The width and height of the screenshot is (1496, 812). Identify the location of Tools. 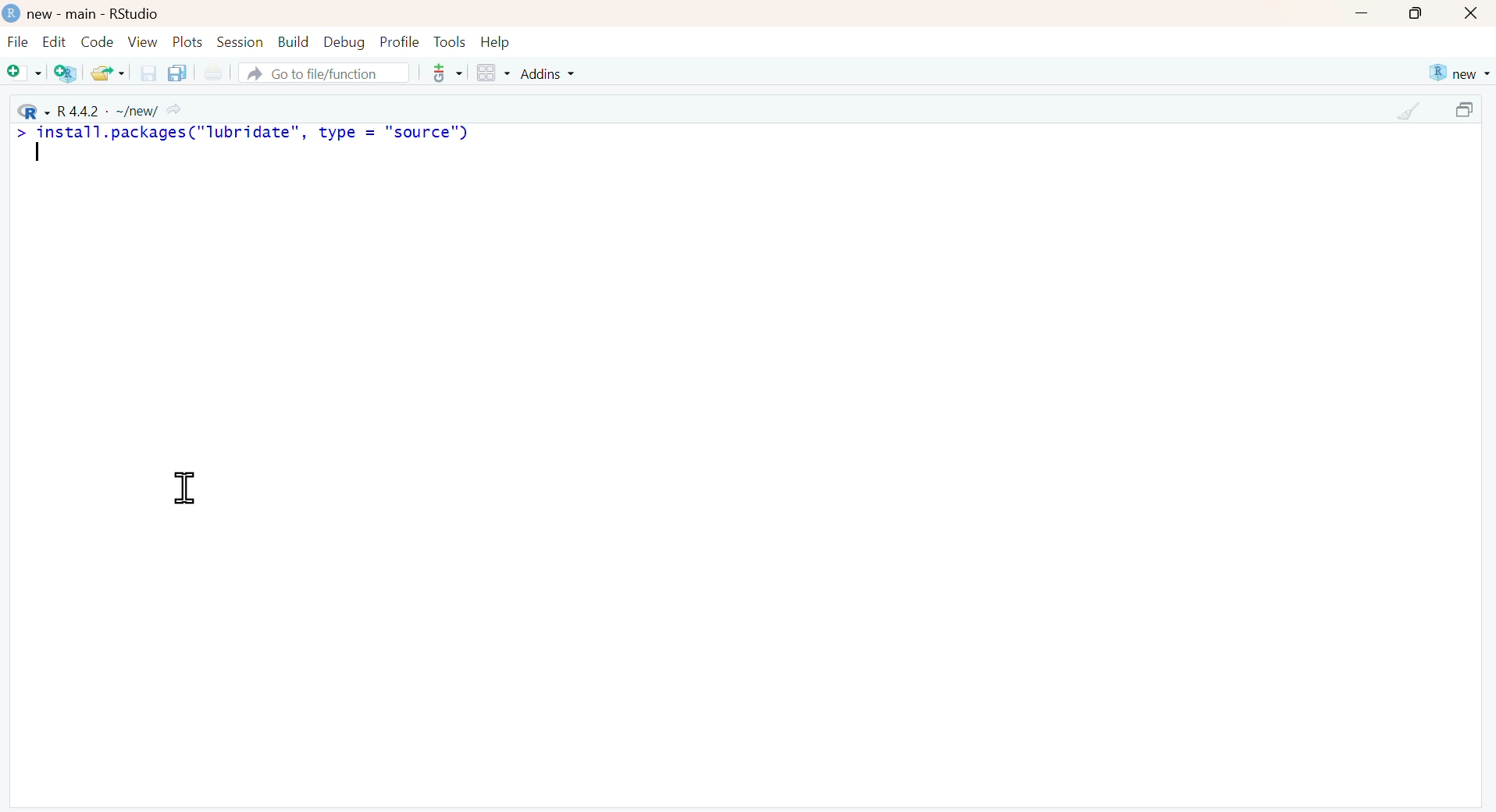
(450, 41).